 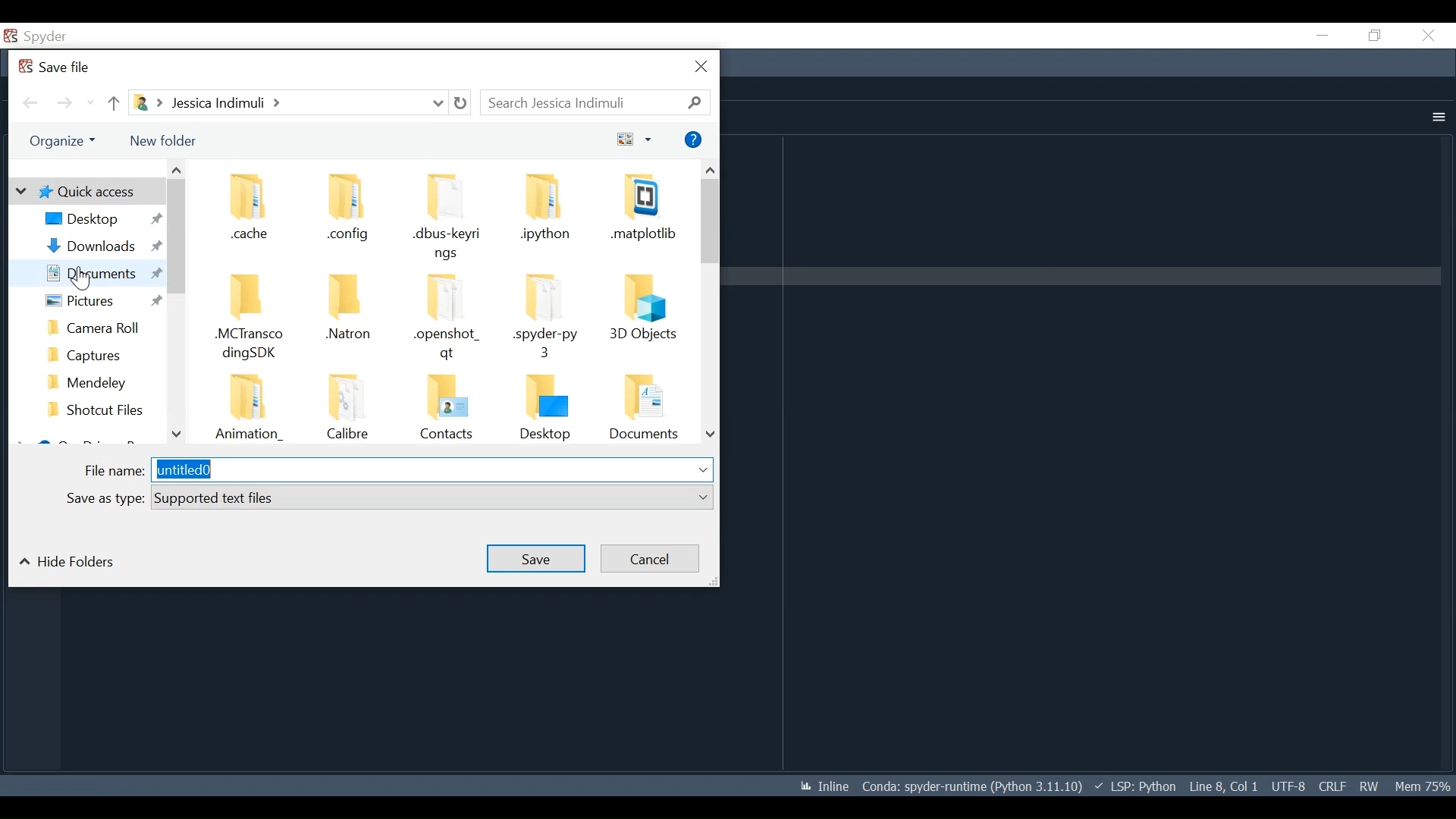 I want to click on Downloads, so click(x=99, y=246).